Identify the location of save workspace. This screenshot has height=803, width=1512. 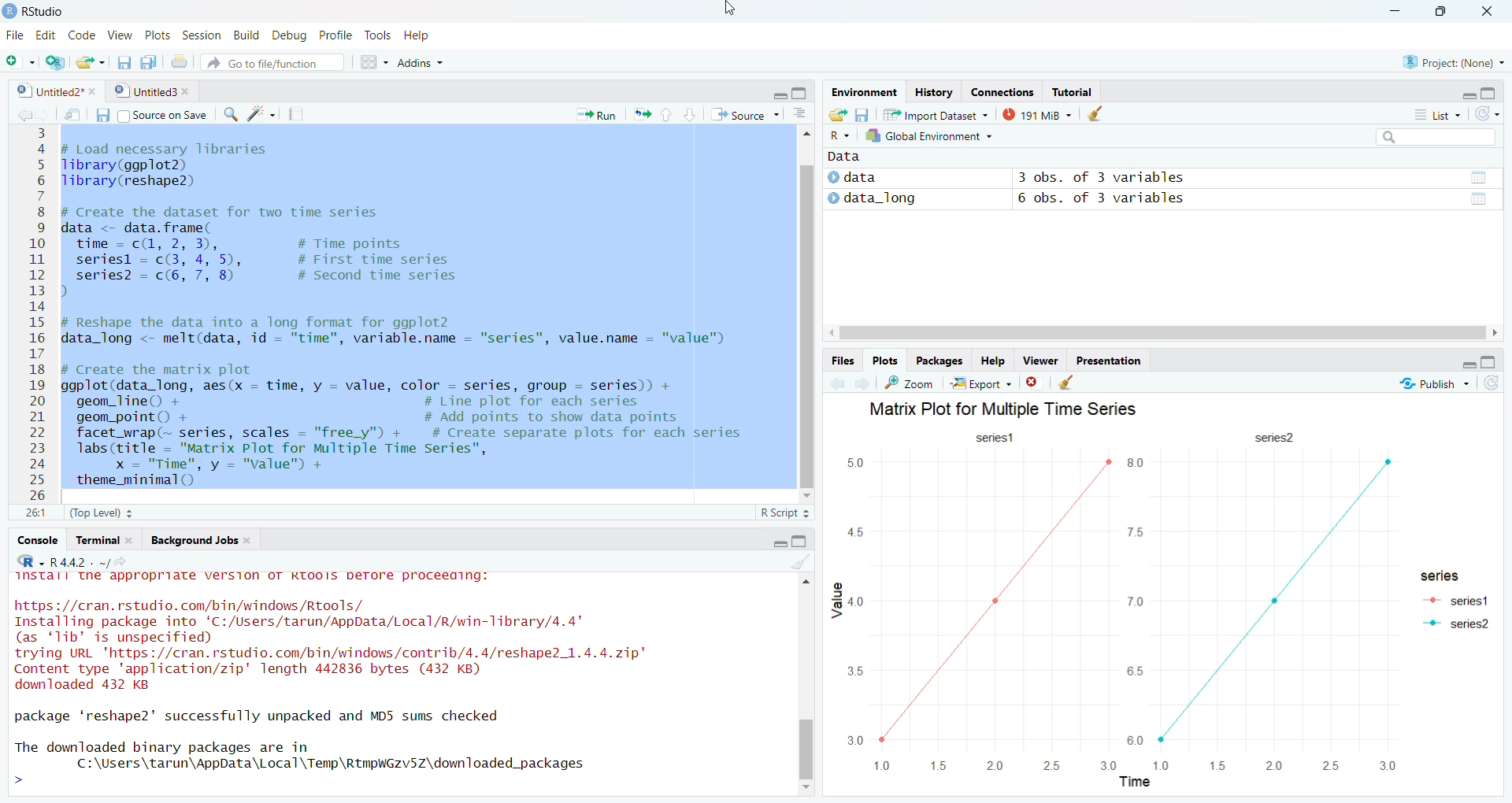
(862, 113).